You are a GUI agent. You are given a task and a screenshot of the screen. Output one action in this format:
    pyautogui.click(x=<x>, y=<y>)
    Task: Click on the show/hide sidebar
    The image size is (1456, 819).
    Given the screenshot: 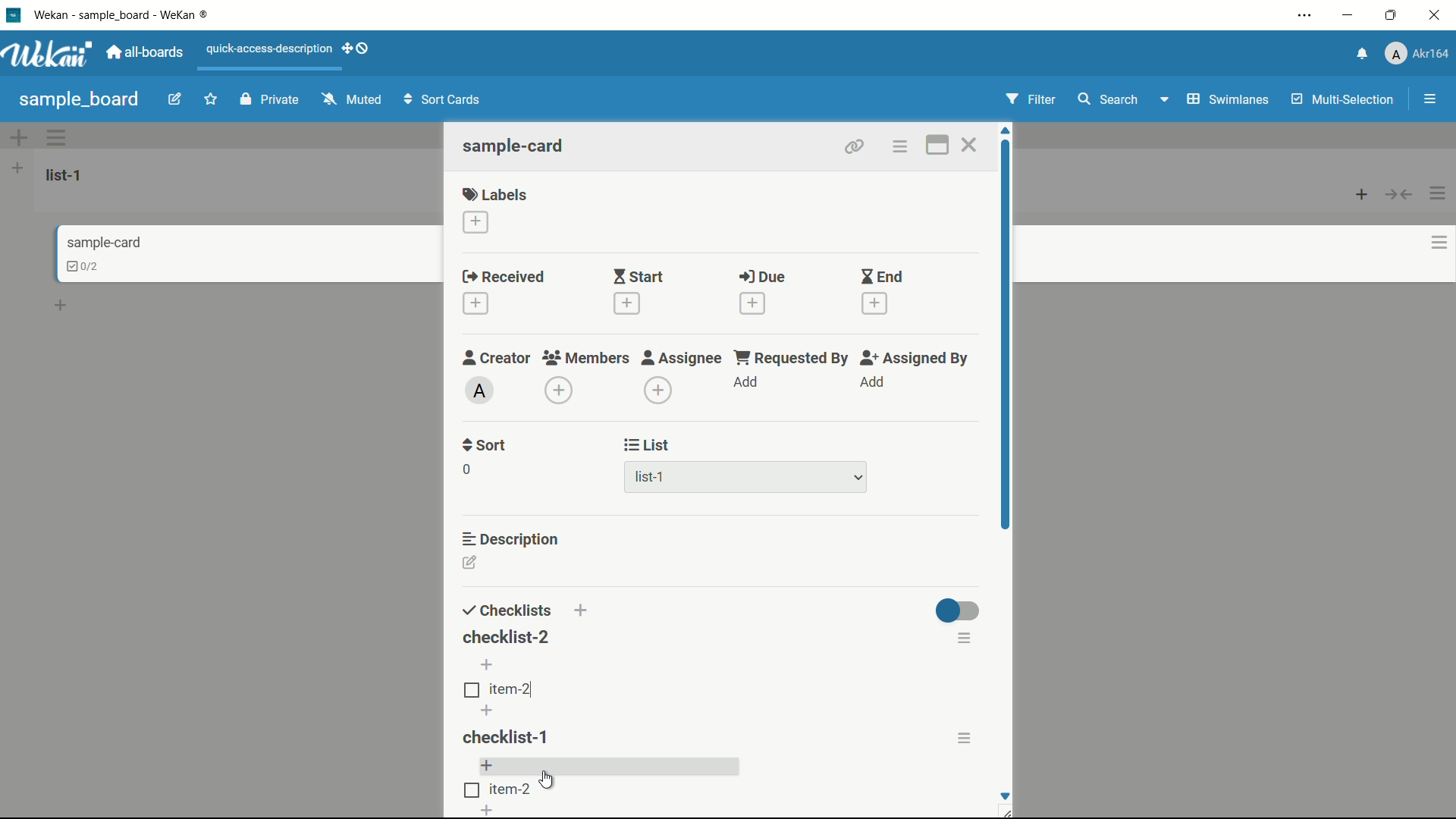 What is the action you would take?
    pyautogui.click(x=1432, y=99)
    